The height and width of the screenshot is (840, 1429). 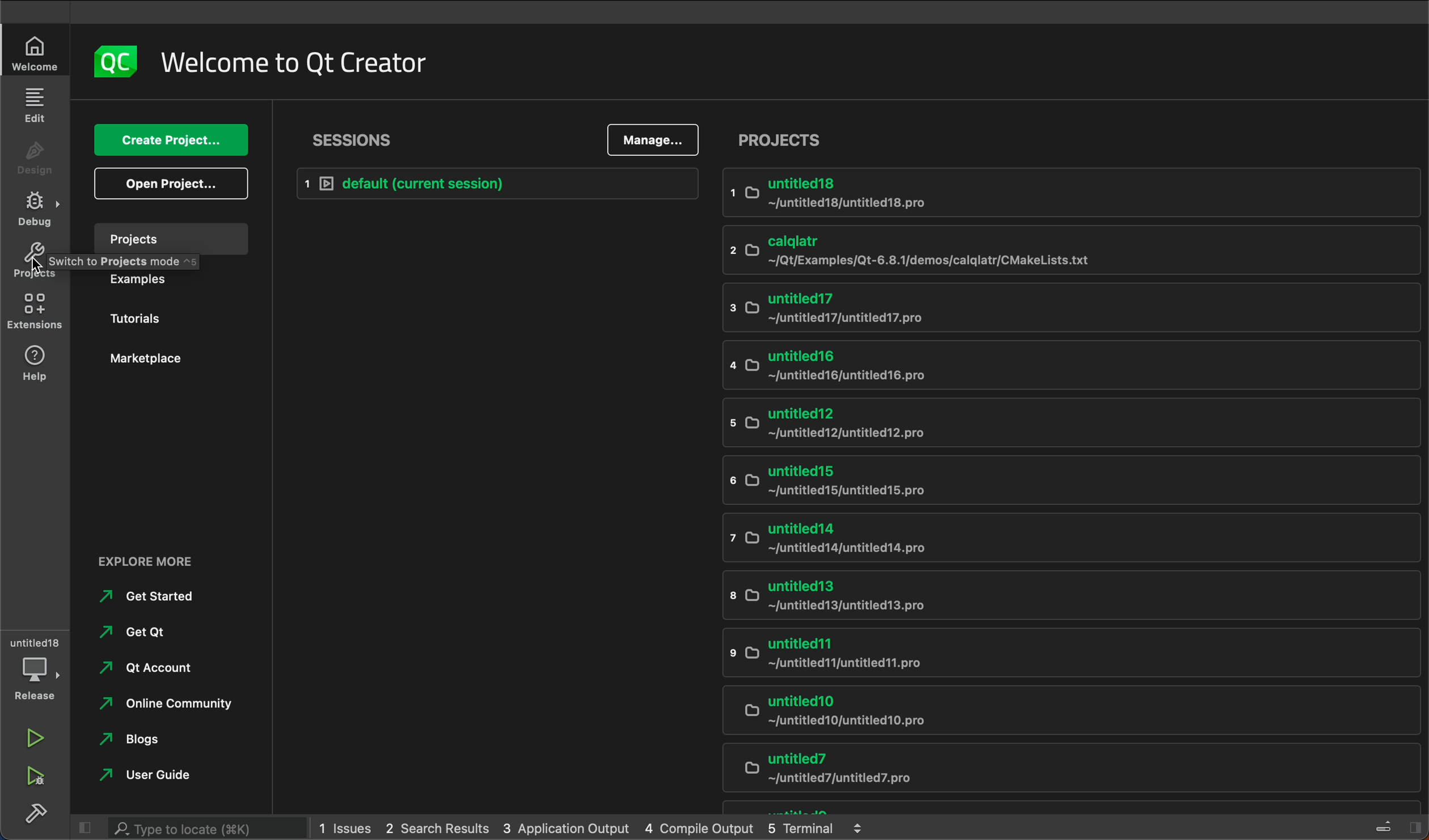 I want to click on untitled13, so click(x=1052, y=595).